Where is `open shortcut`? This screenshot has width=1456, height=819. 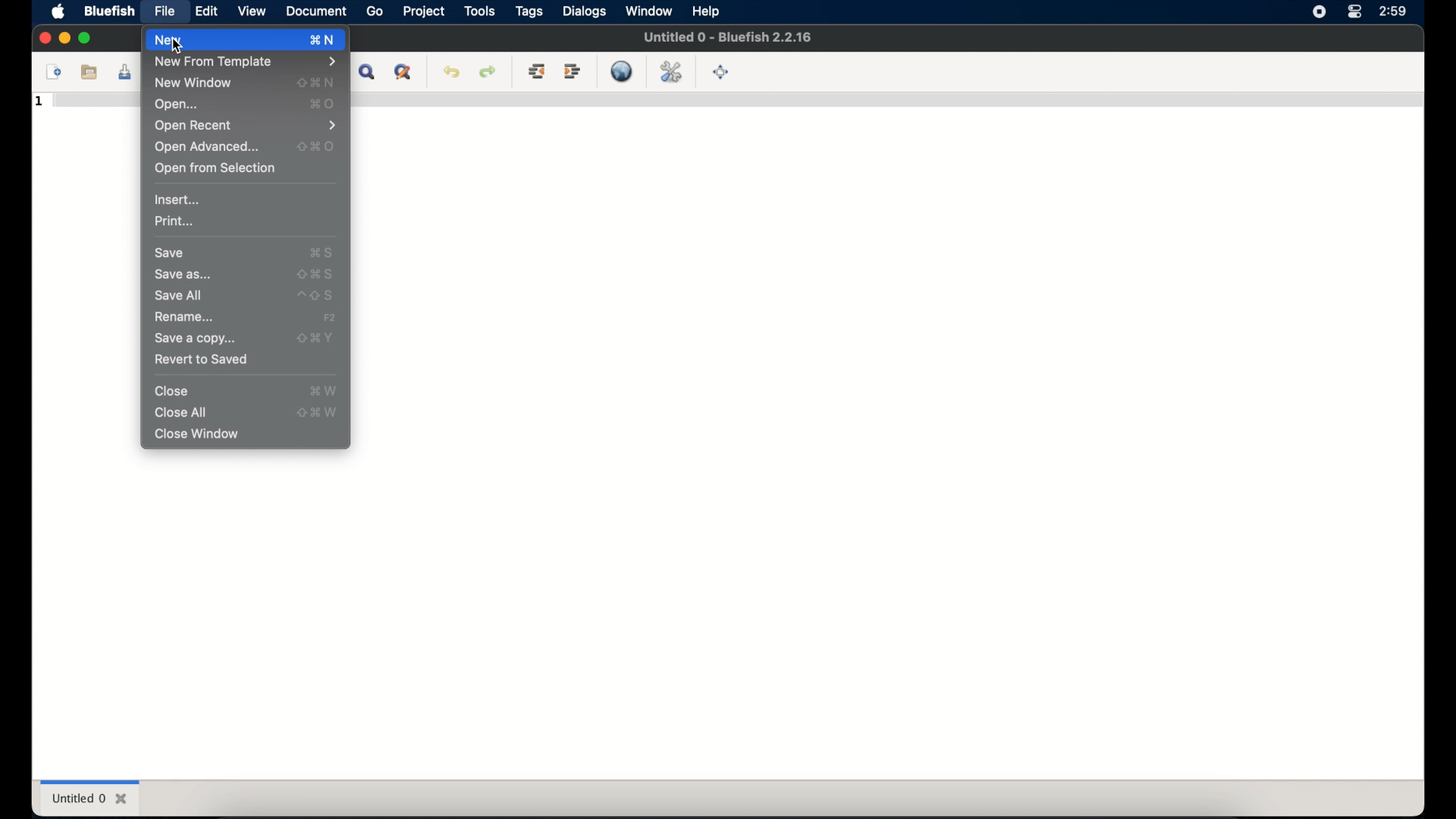
open shortcut is located at coordinates (323, 104).